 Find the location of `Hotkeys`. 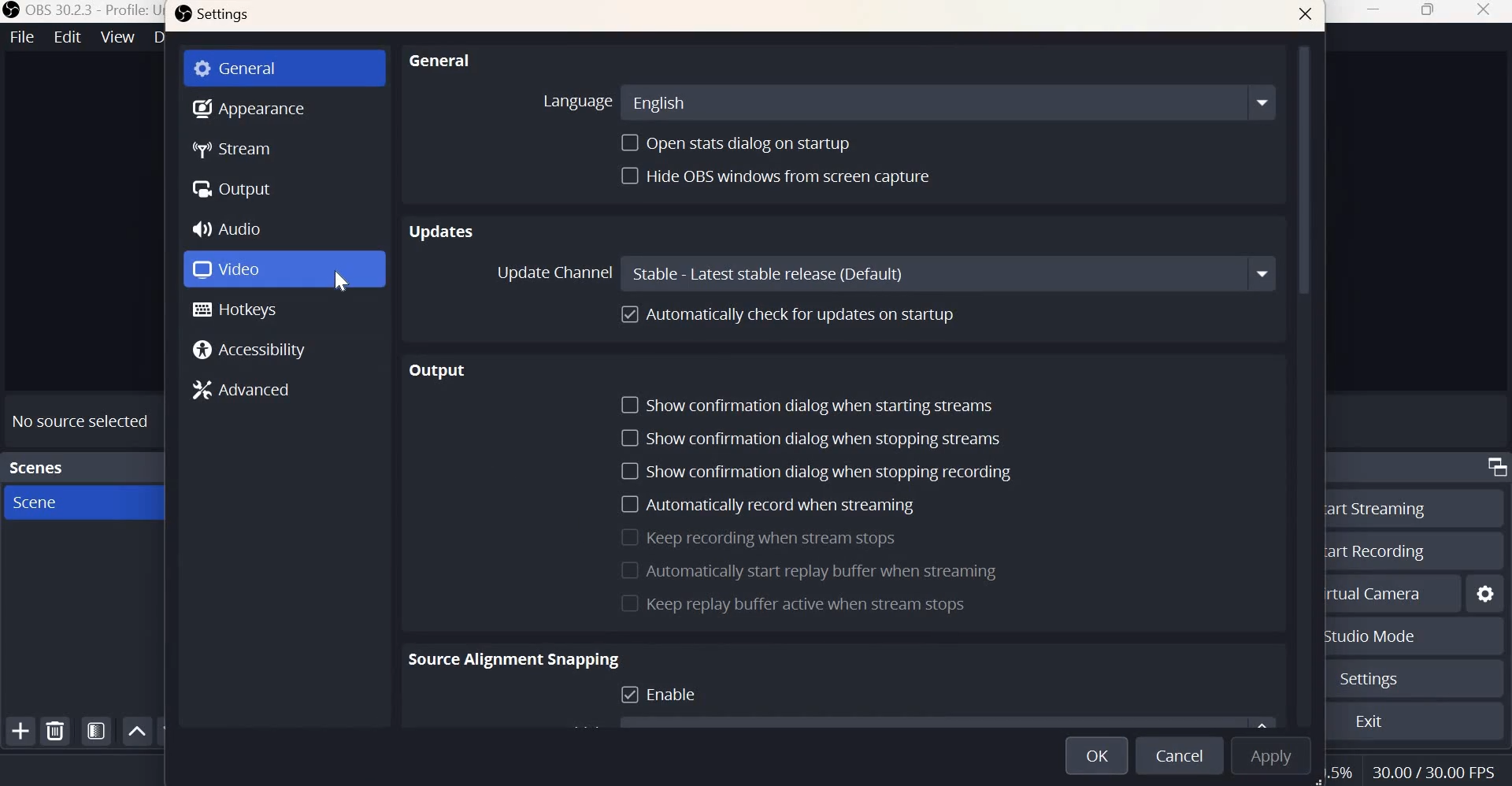

Hotkeys is located at coordinates (235, 310).